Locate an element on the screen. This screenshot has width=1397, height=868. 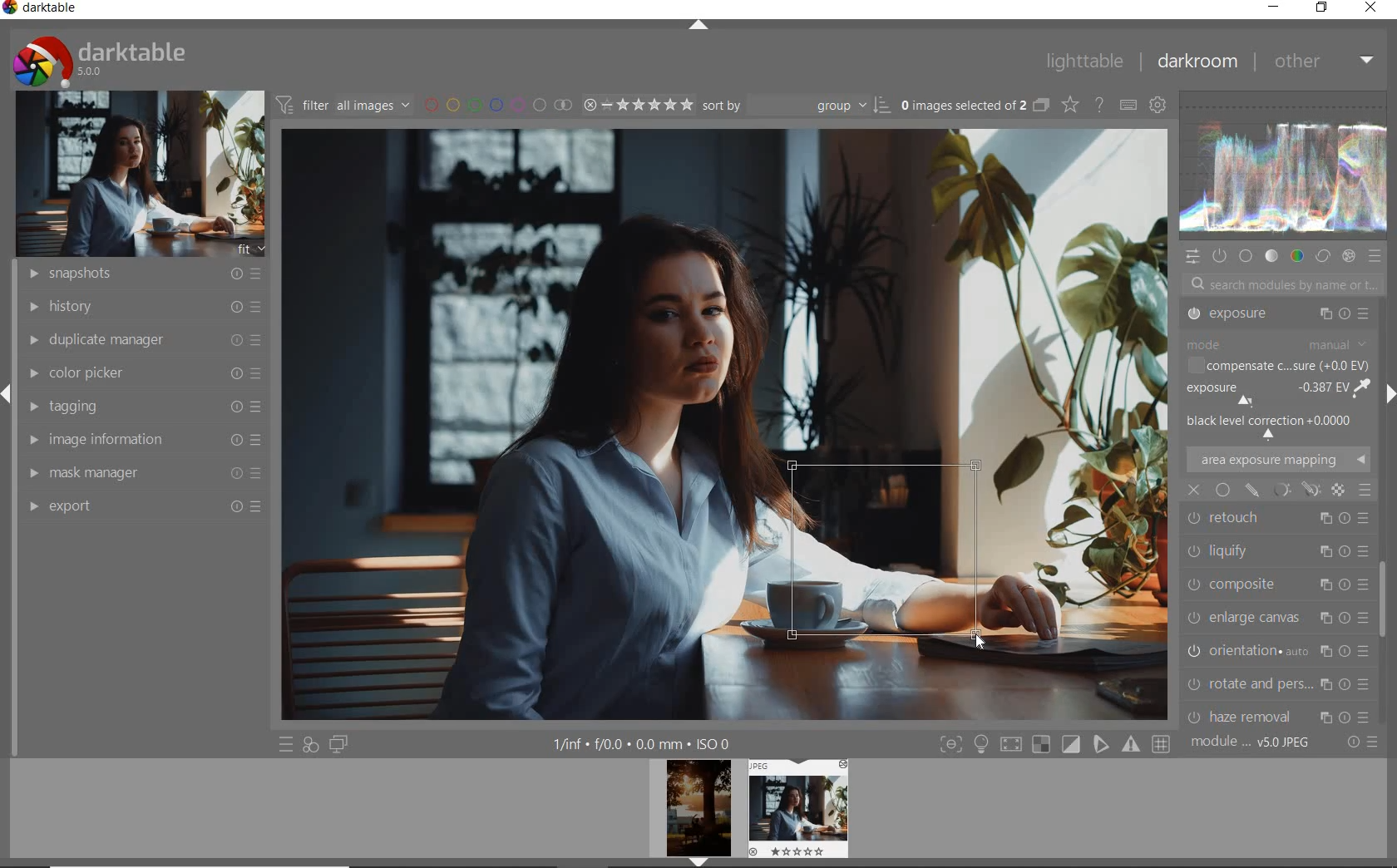
ENLARGE CANVAS is located at coordinates (1277, 514).